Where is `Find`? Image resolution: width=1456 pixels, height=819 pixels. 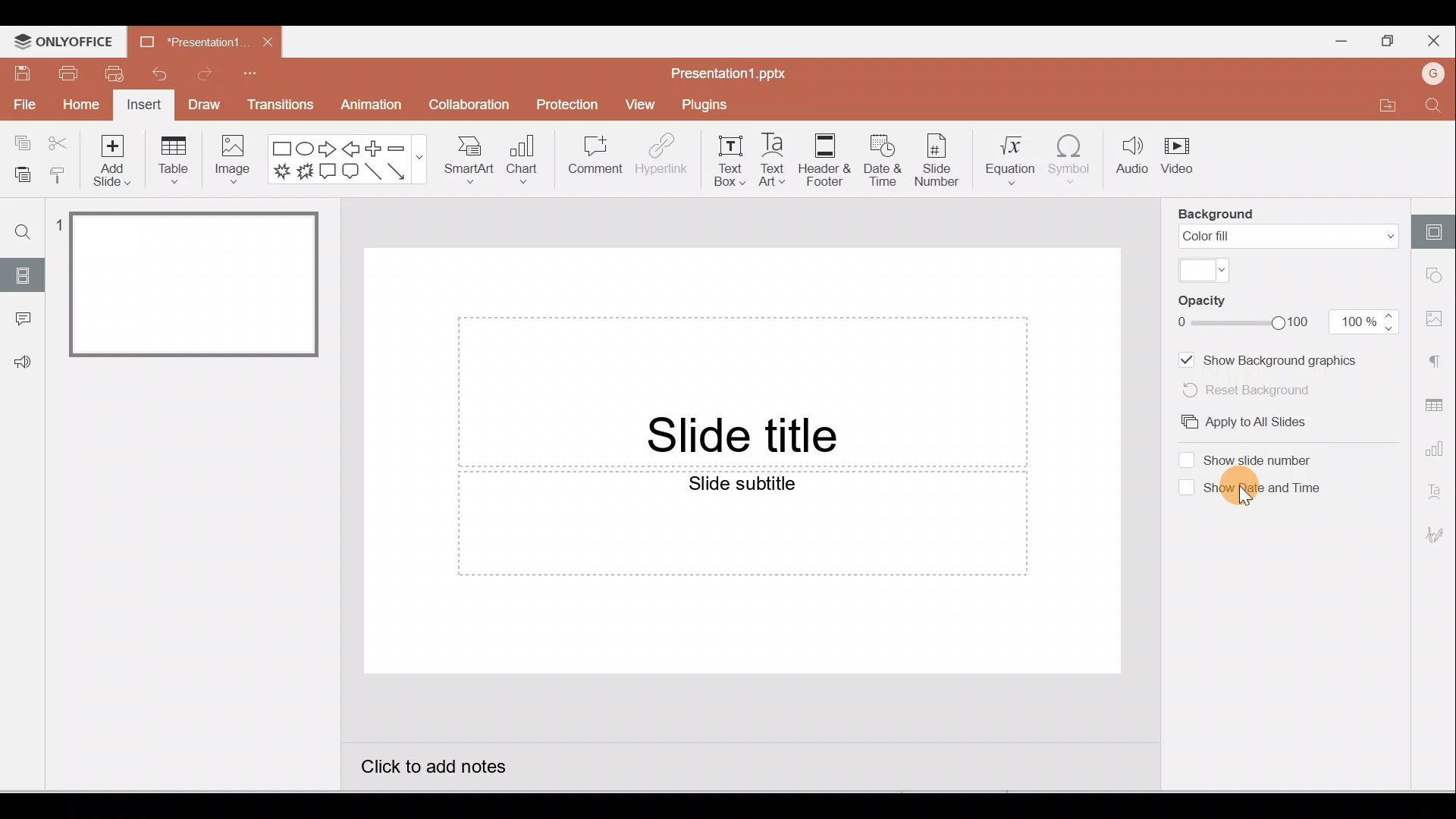 Find is located at coordinates (1435, 108).